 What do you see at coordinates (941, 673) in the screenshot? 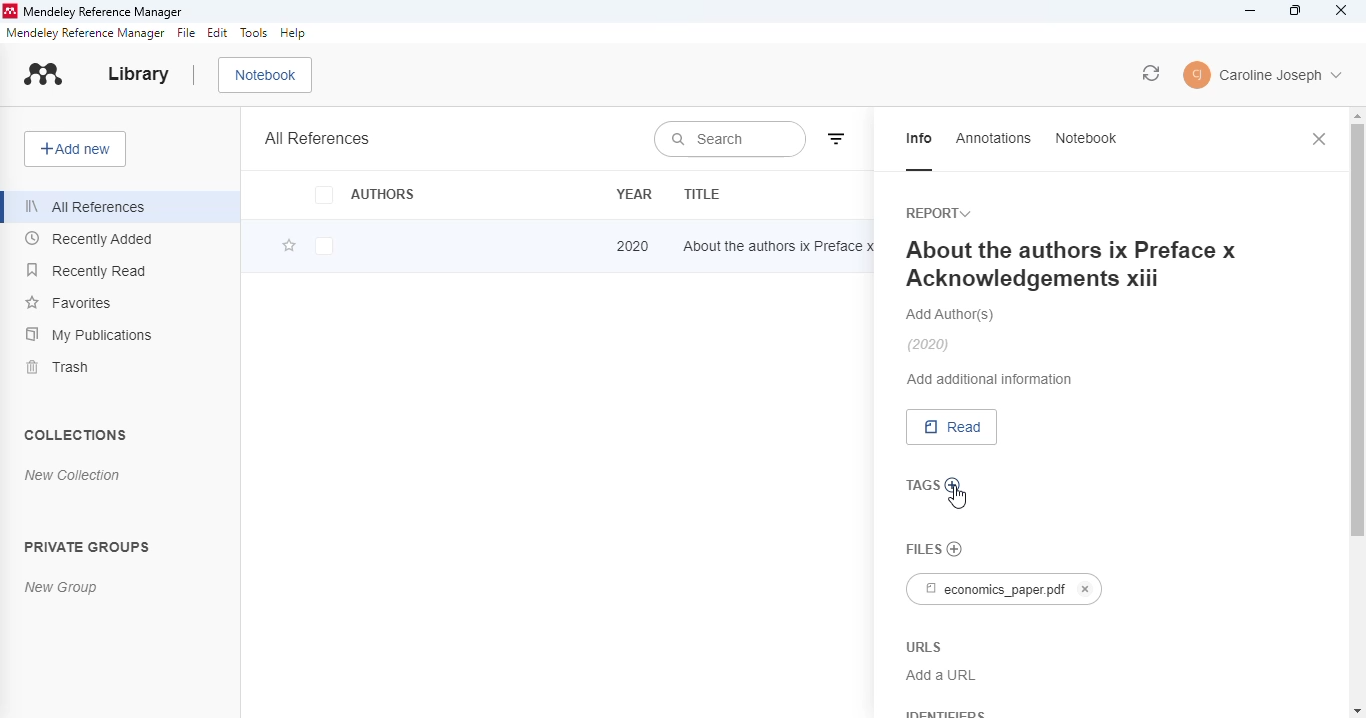
I see `Add a URL` at bounding box center [941, 673].